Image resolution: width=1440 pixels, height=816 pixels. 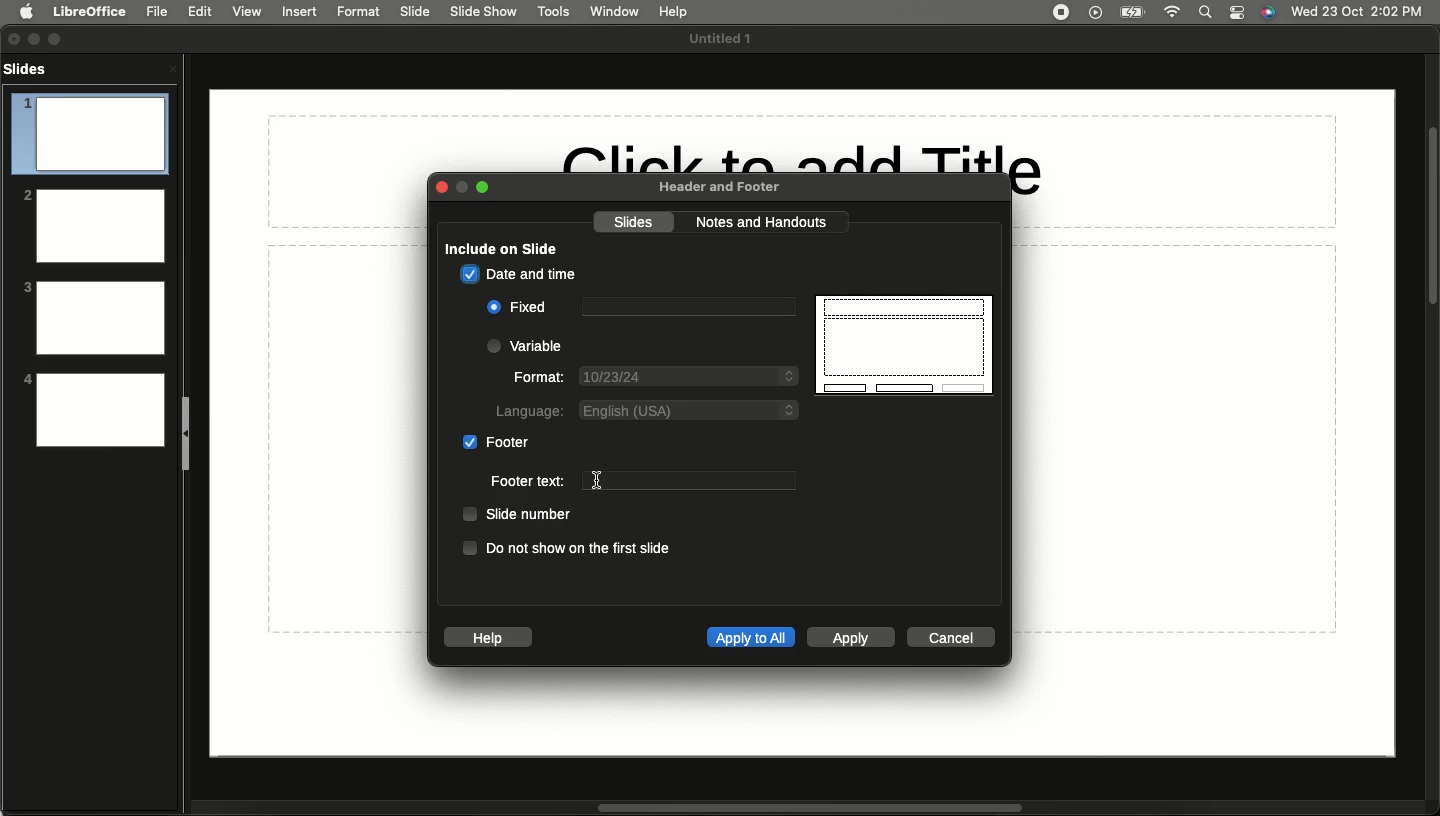 I want to click on Close, so click(x=448, y=189).